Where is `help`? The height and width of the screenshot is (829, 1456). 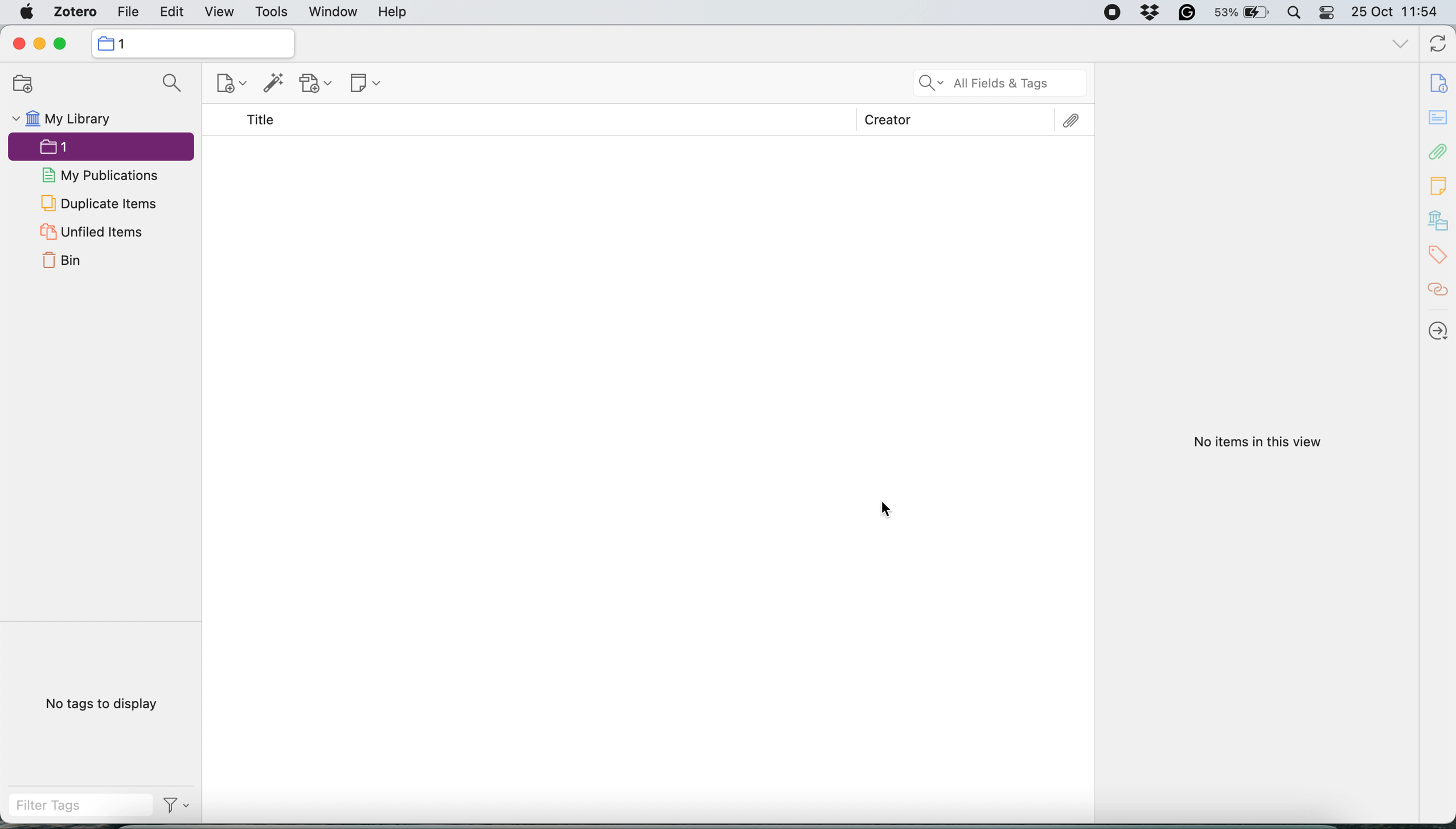
help is located at coordinates (395, 12).